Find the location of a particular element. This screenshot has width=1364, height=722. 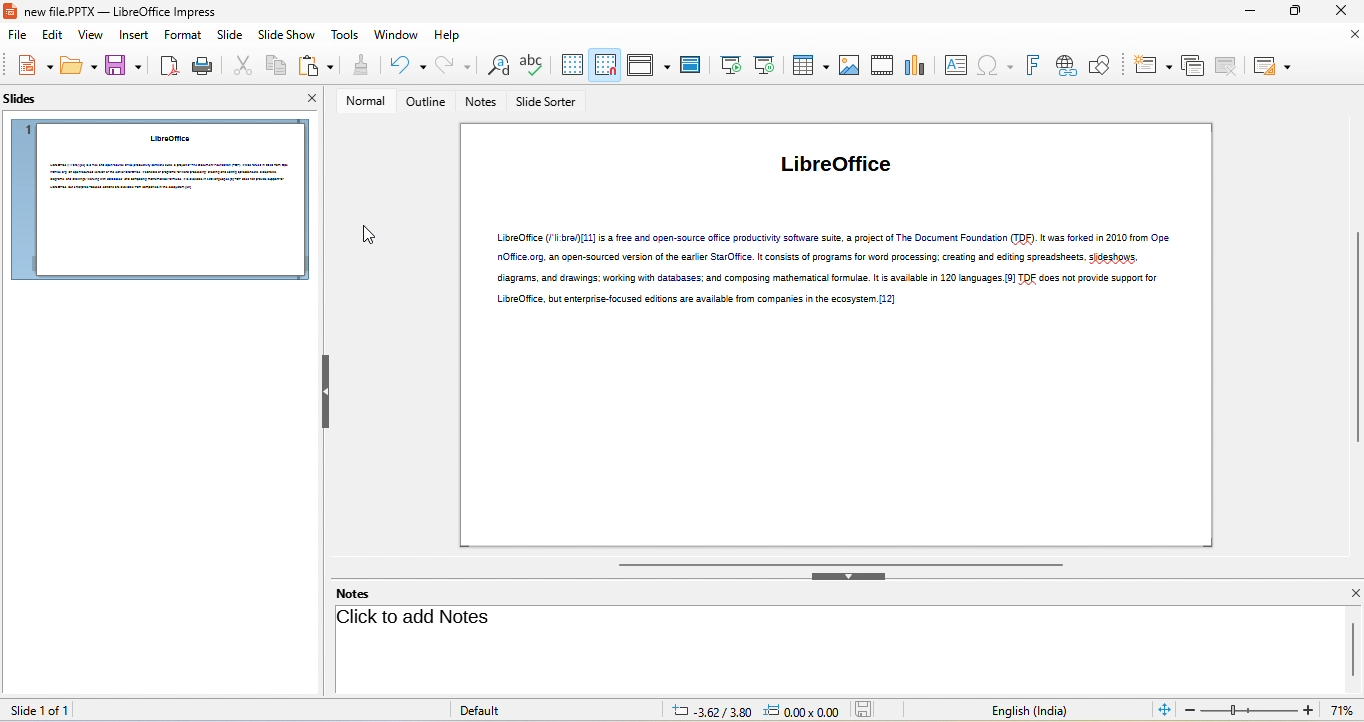

maximize is located at coordinates (1299, 12).